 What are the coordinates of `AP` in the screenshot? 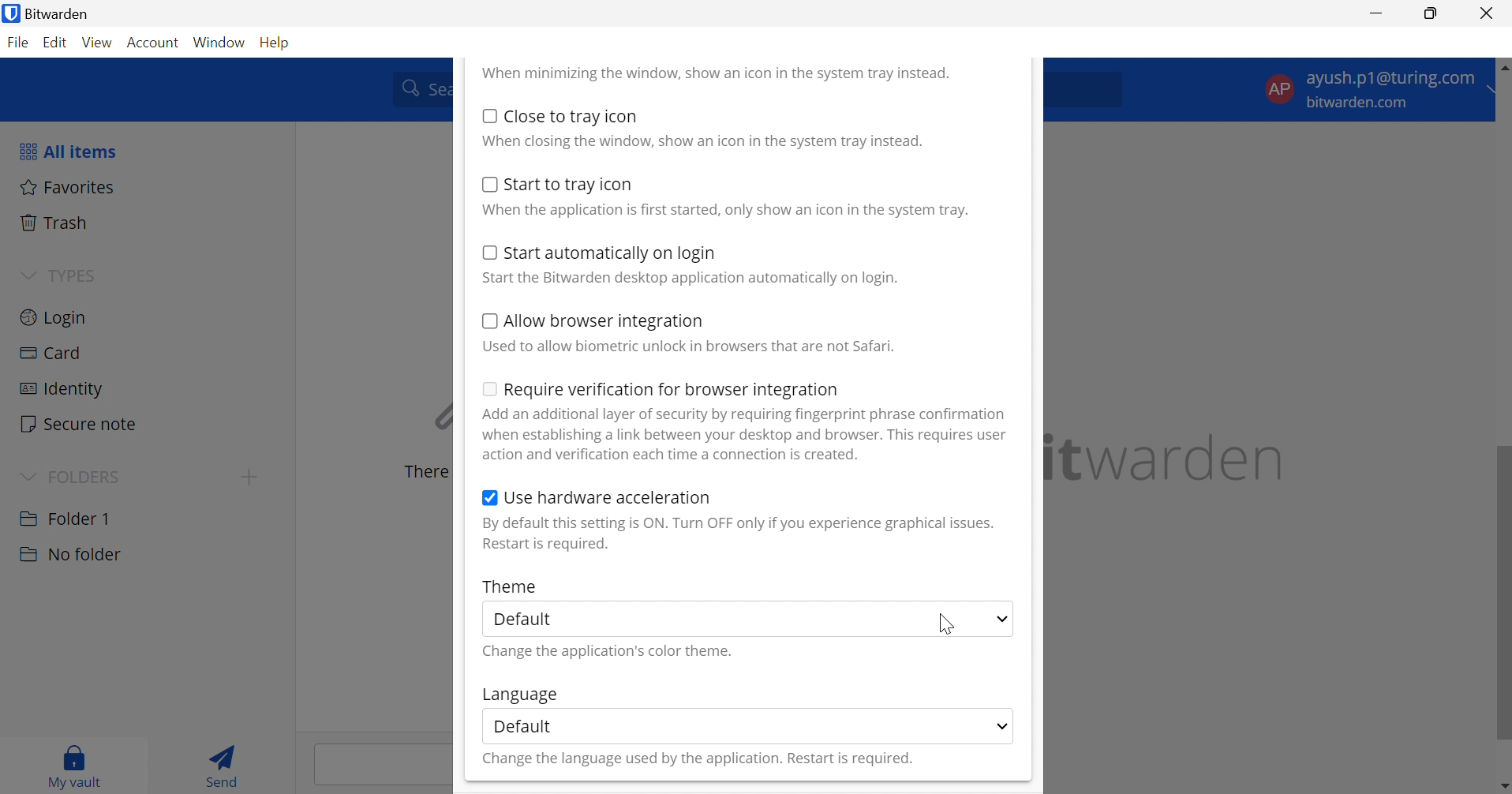 It's located at (1278, 88).